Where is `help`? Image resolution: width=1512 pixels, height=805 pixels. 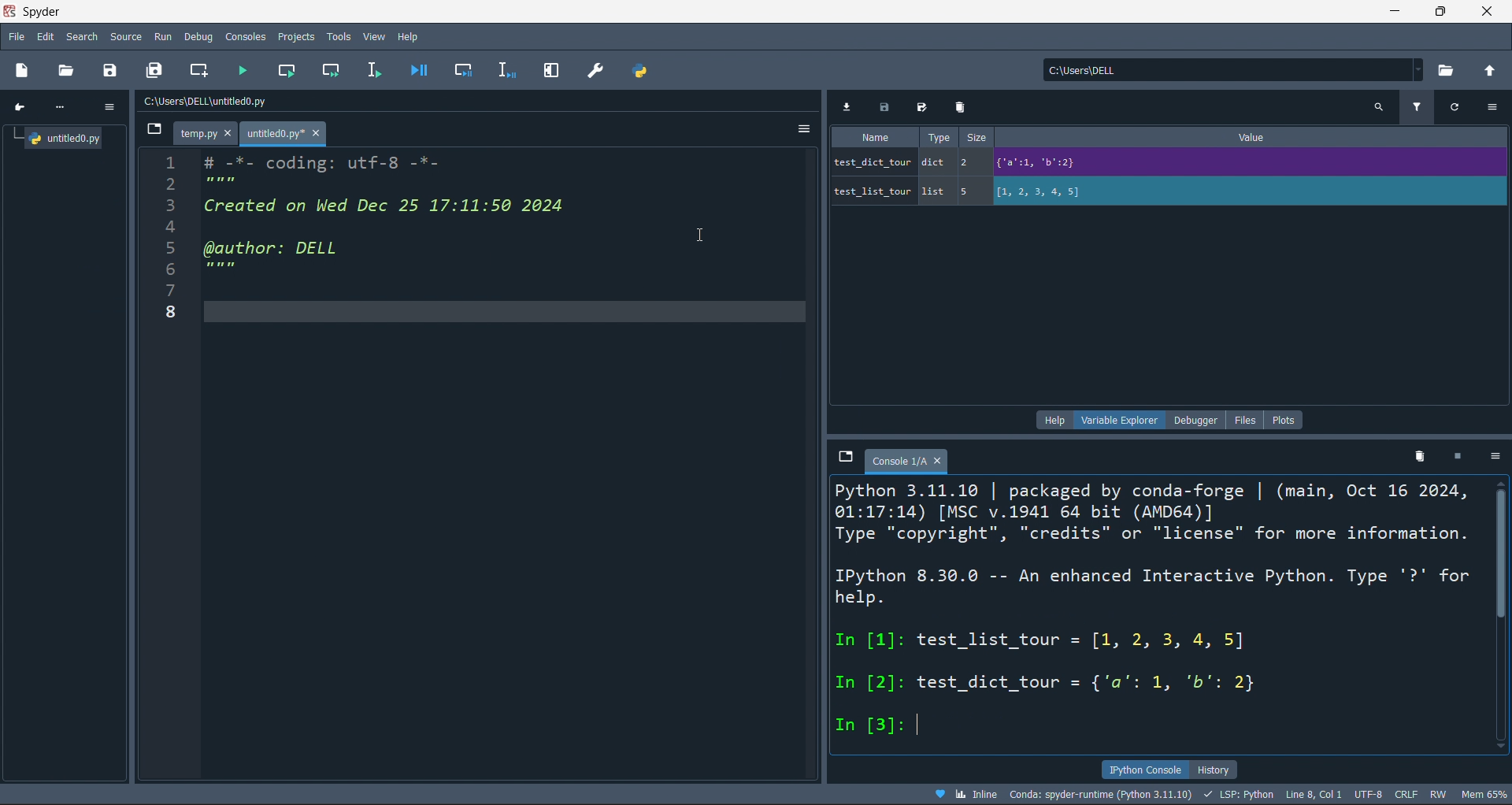 help is located at coordinates (413, 35).